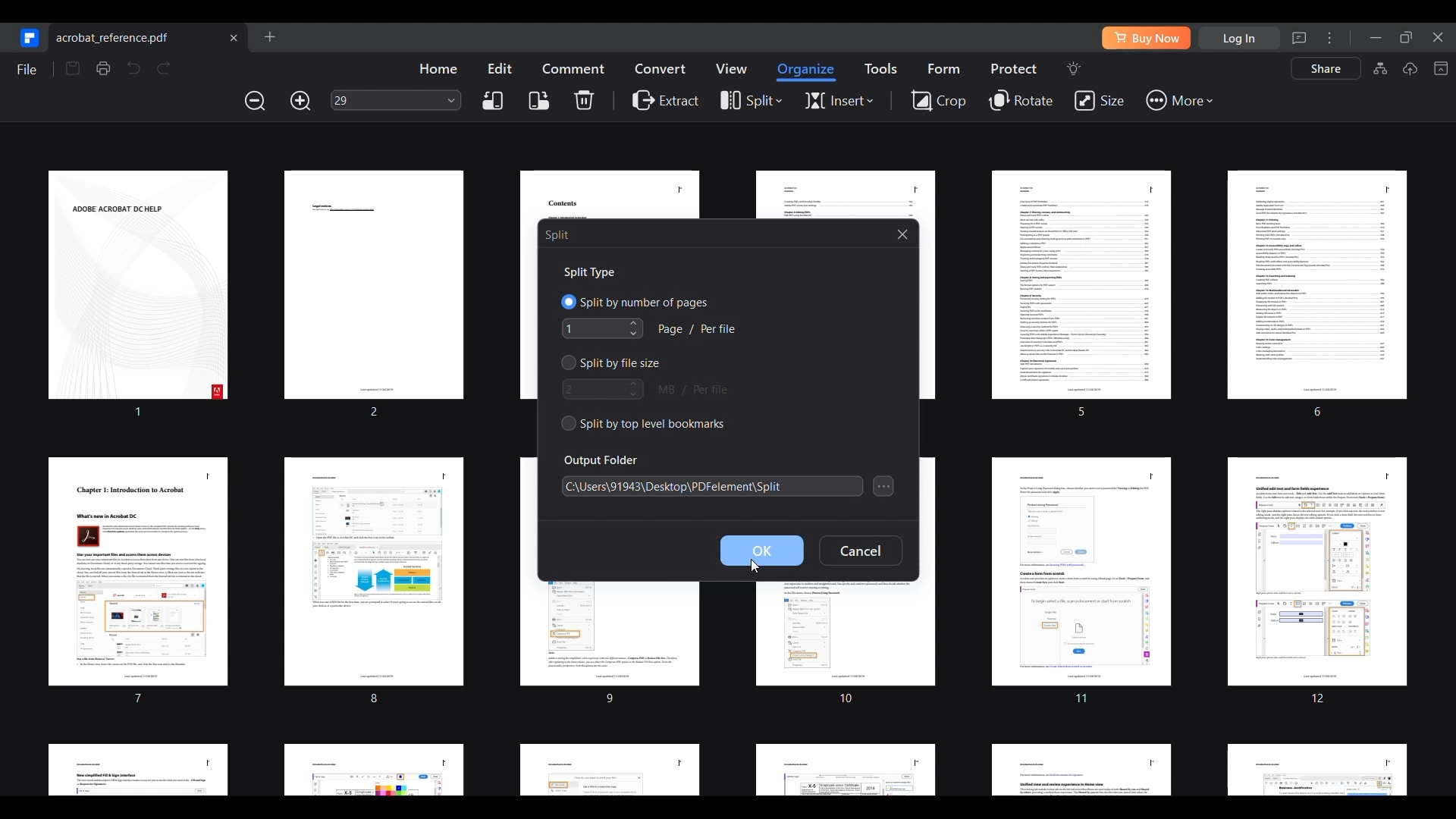  I want to click on Buy software, so click(1146, 38).